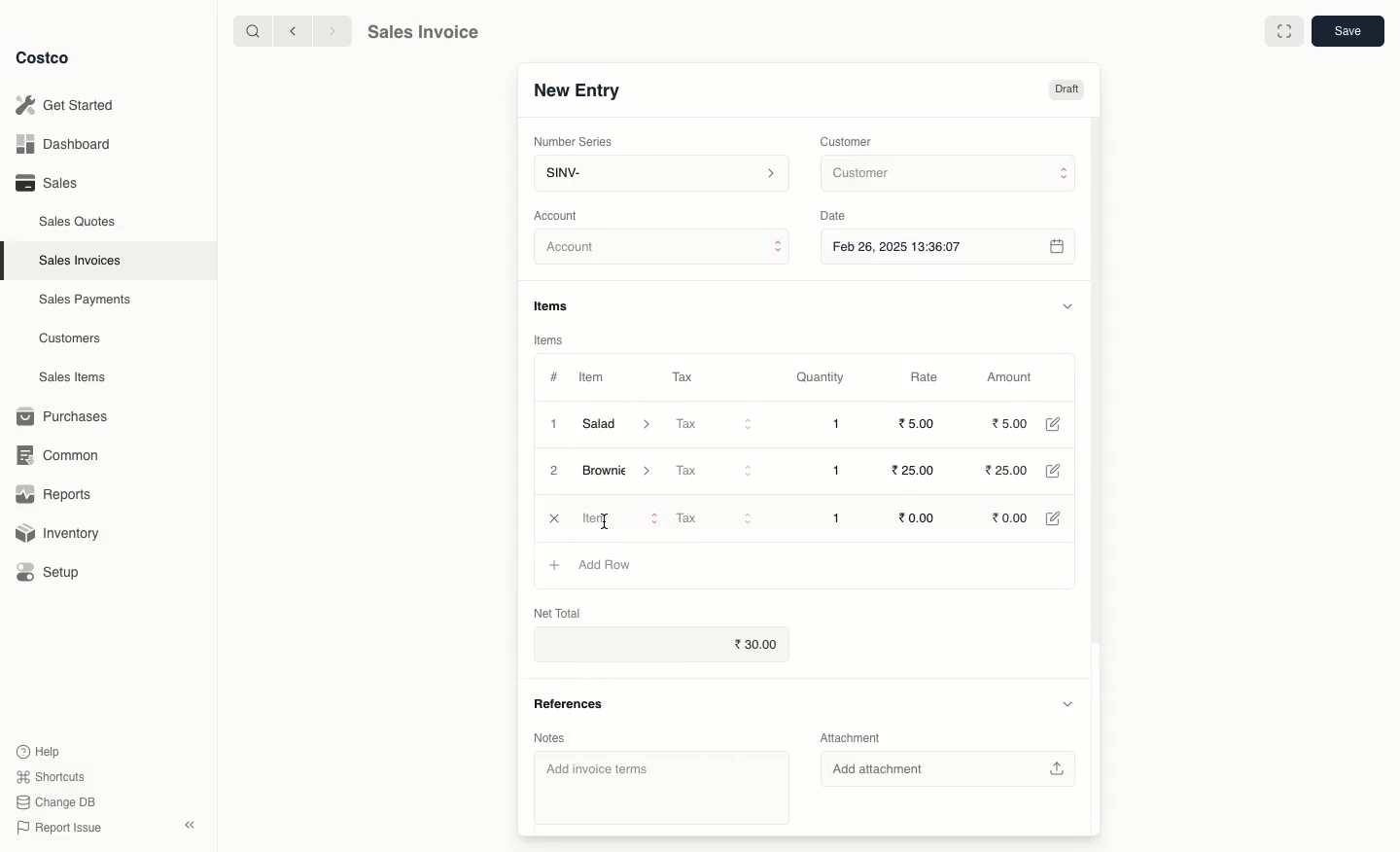  Describe the element at coordinates (607, 564) in the screenshot. I see `Add Row` at that location.